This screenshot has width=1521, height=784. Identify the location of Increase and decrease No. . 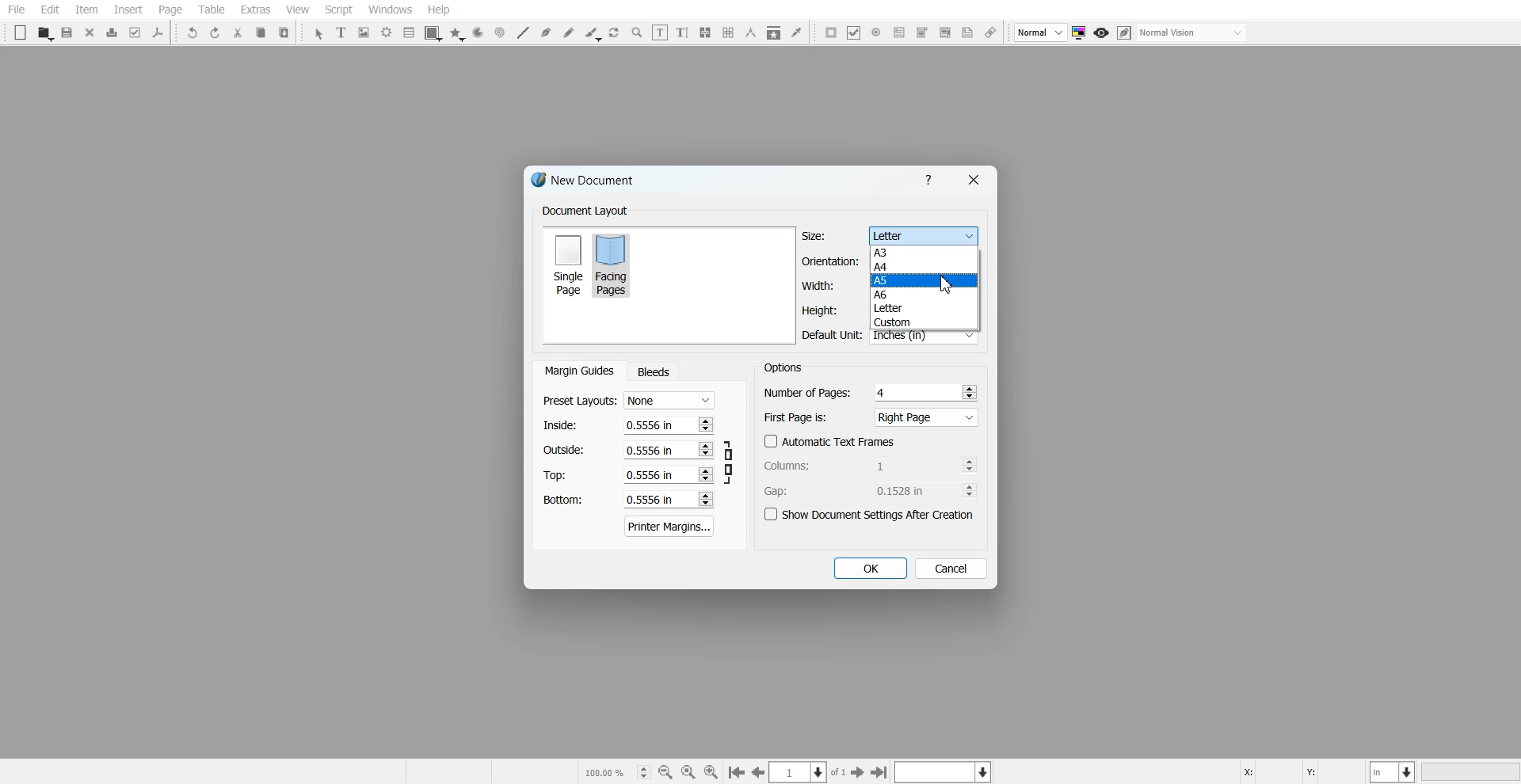
(970, 391).